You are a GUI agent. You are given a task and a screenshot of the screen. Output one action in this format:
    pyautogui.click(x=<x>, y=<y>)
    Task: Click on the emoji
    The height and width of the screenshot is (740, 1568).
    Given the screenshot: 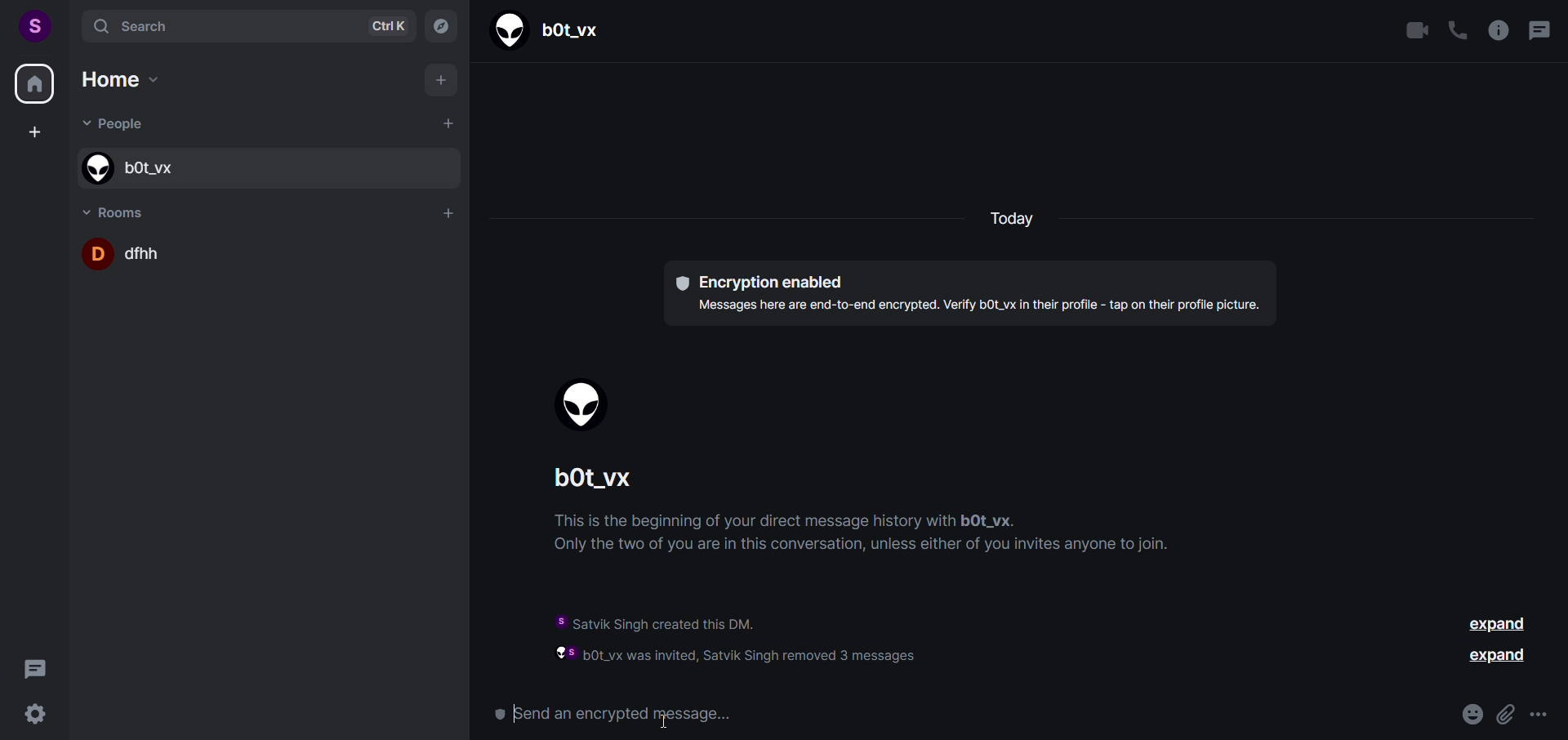 What is the action you would take?
    pyautogui.click(x=1467, y=714)
    